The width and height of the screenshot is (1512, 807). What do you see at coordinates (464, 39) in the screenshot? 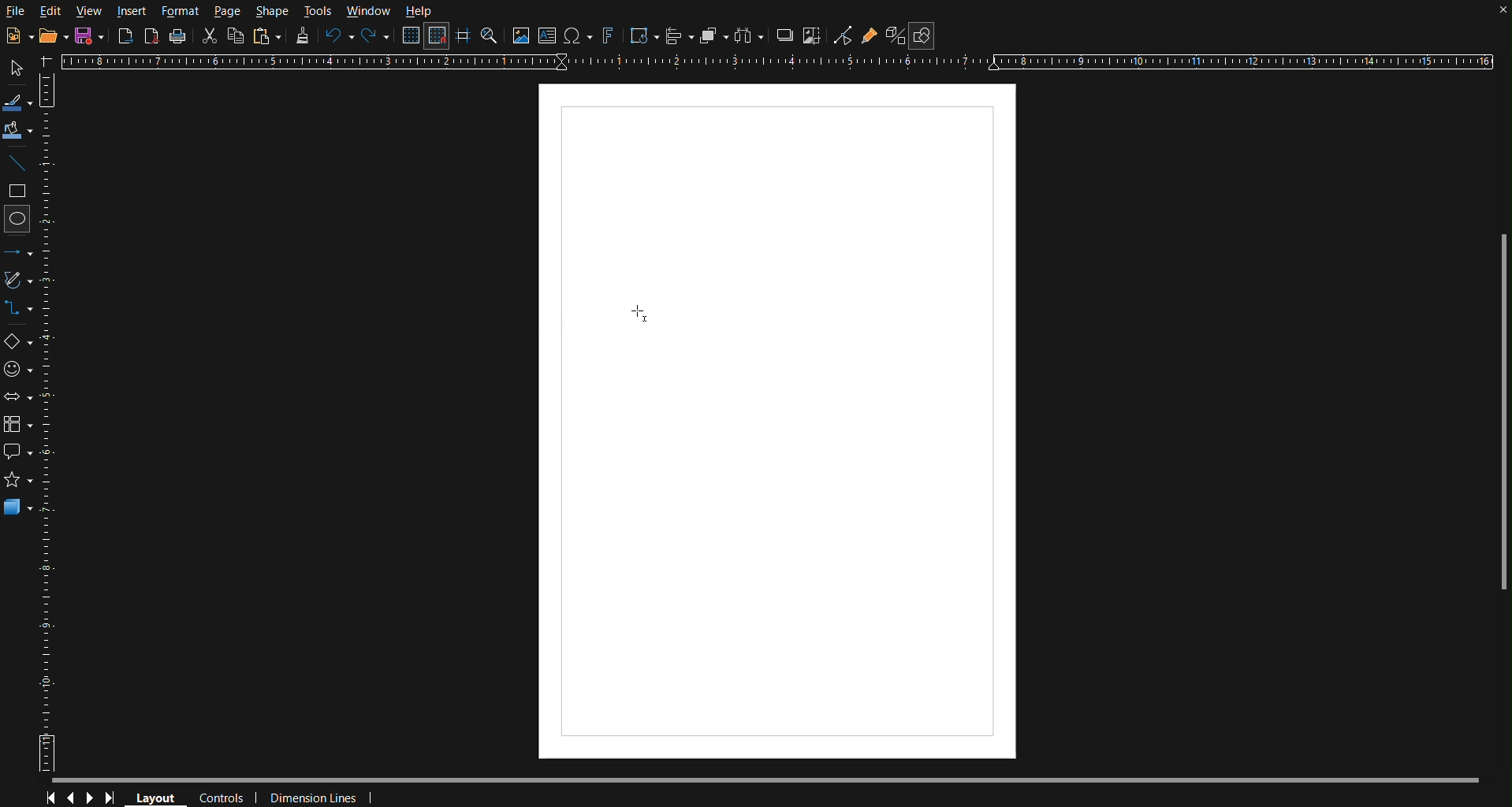
I see `Guidelines while moving` at bounding box center [464, 39].